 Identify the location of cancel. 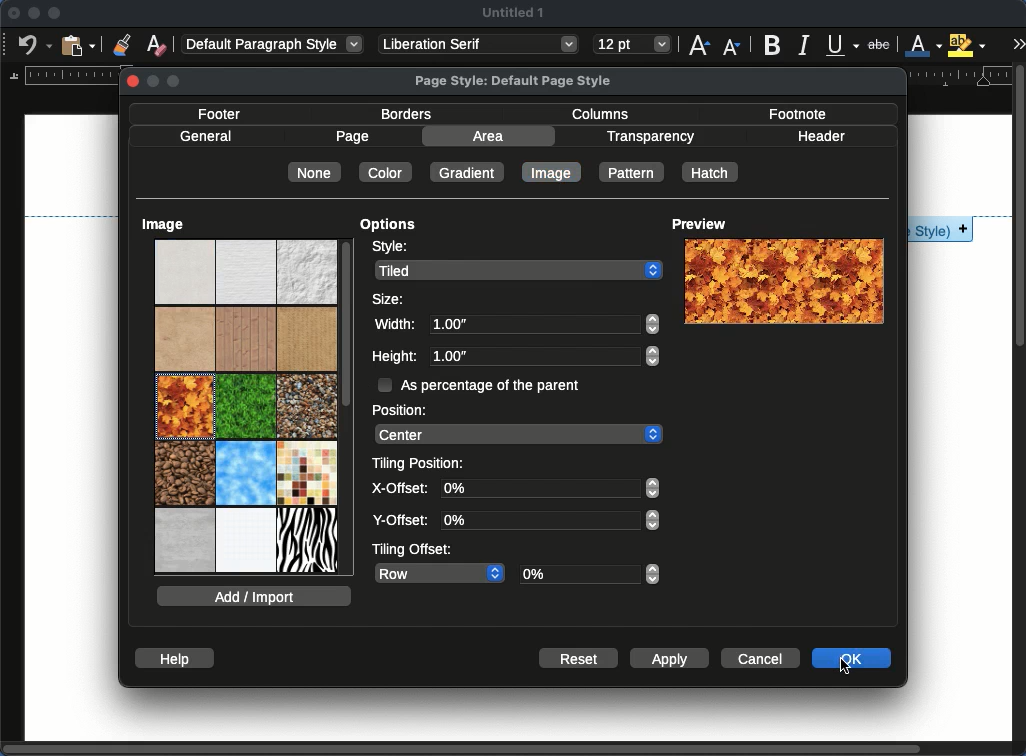
(762, 658).